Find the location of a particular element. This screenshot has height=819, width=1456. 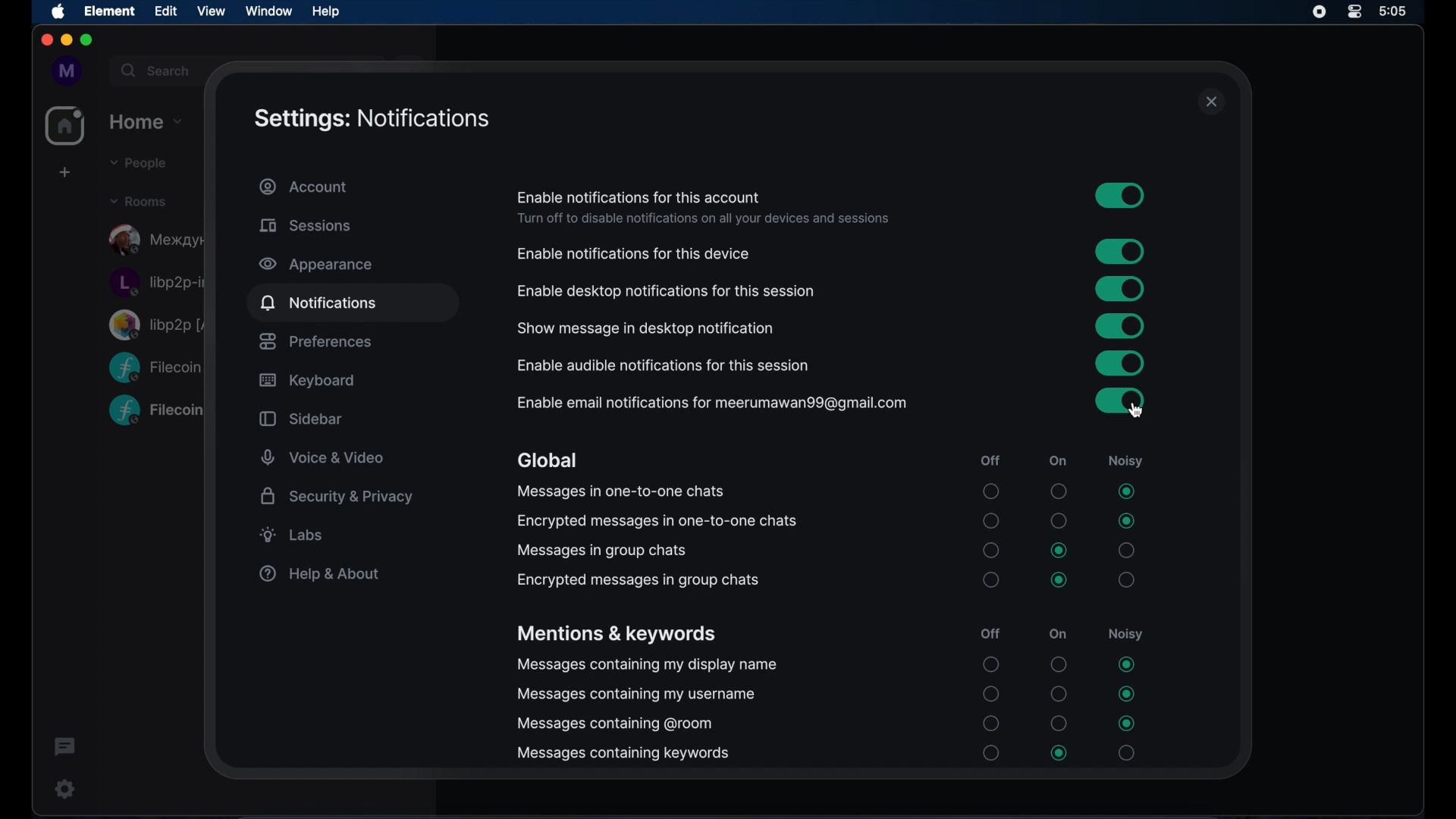

global is located at coordinates (547, 461).